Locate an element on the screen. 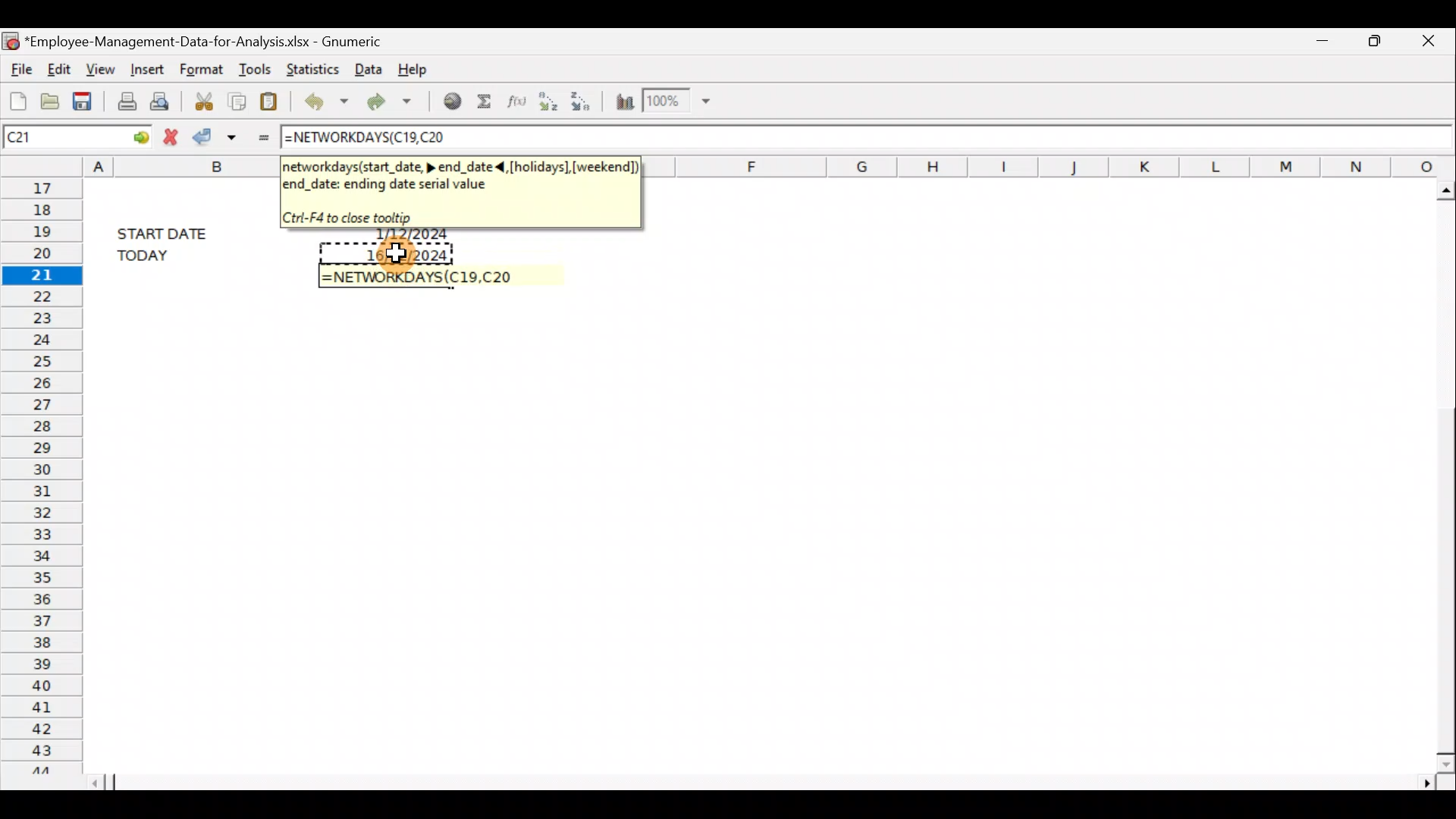  Print preview is located at coordinates (165, 100).